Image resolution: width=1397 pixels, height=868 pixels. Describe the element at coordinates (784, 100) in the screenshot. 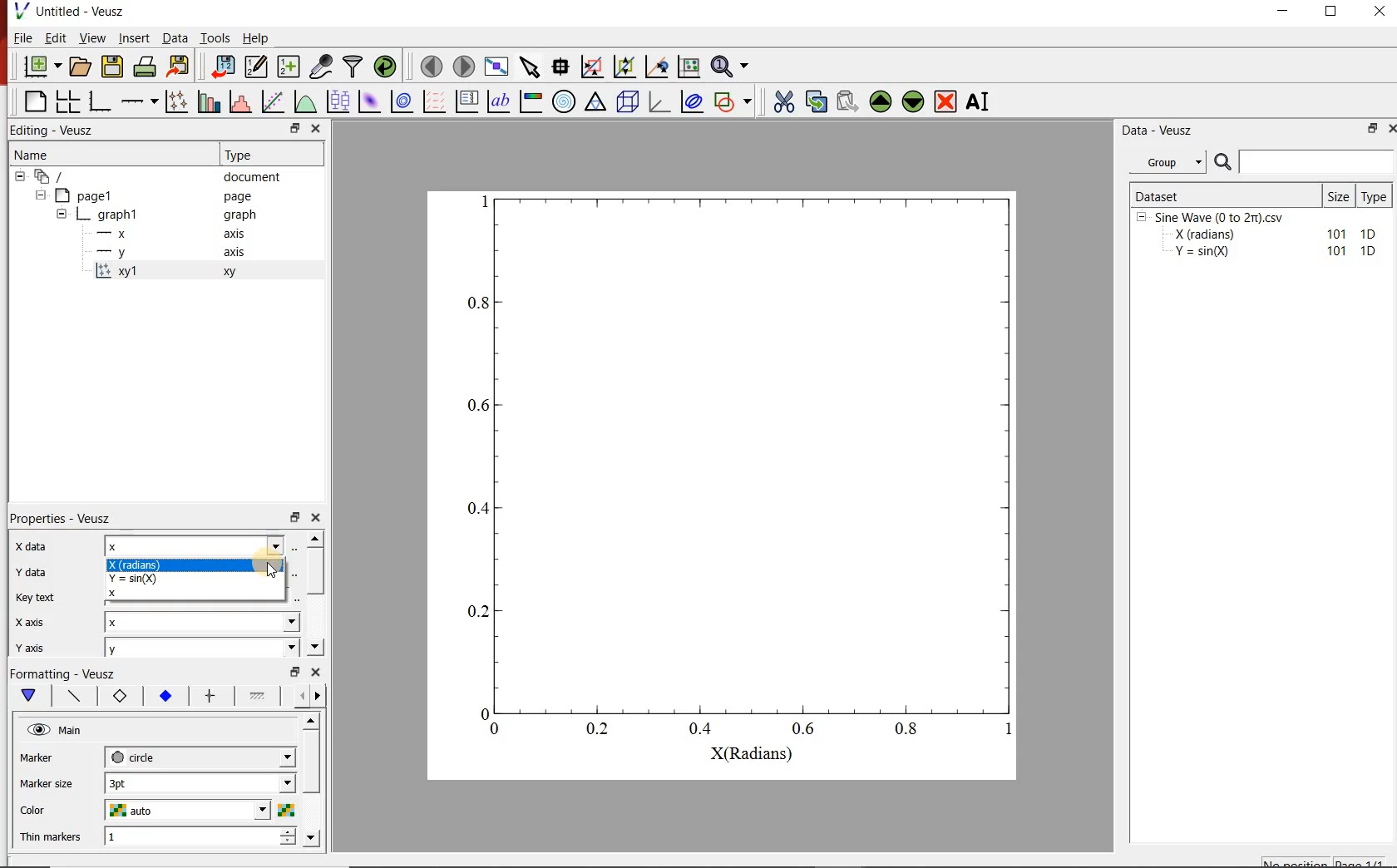

I see `cut` at that location.